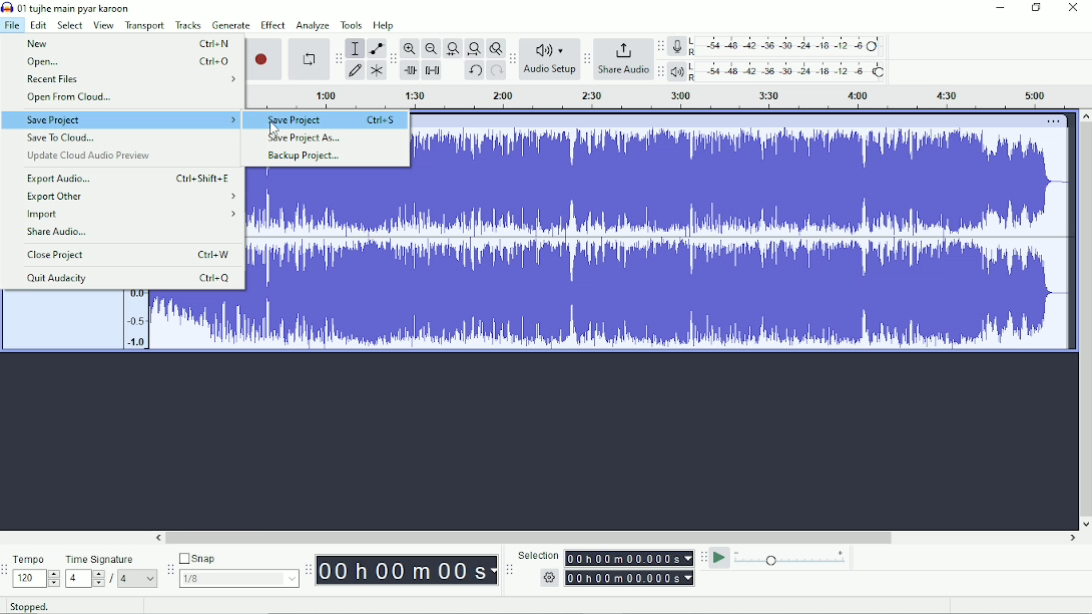 This screenshot has width=1092, height=614. Describe the element at coordinates (183, 321) in the screenshot. I see `Audio` at that location.